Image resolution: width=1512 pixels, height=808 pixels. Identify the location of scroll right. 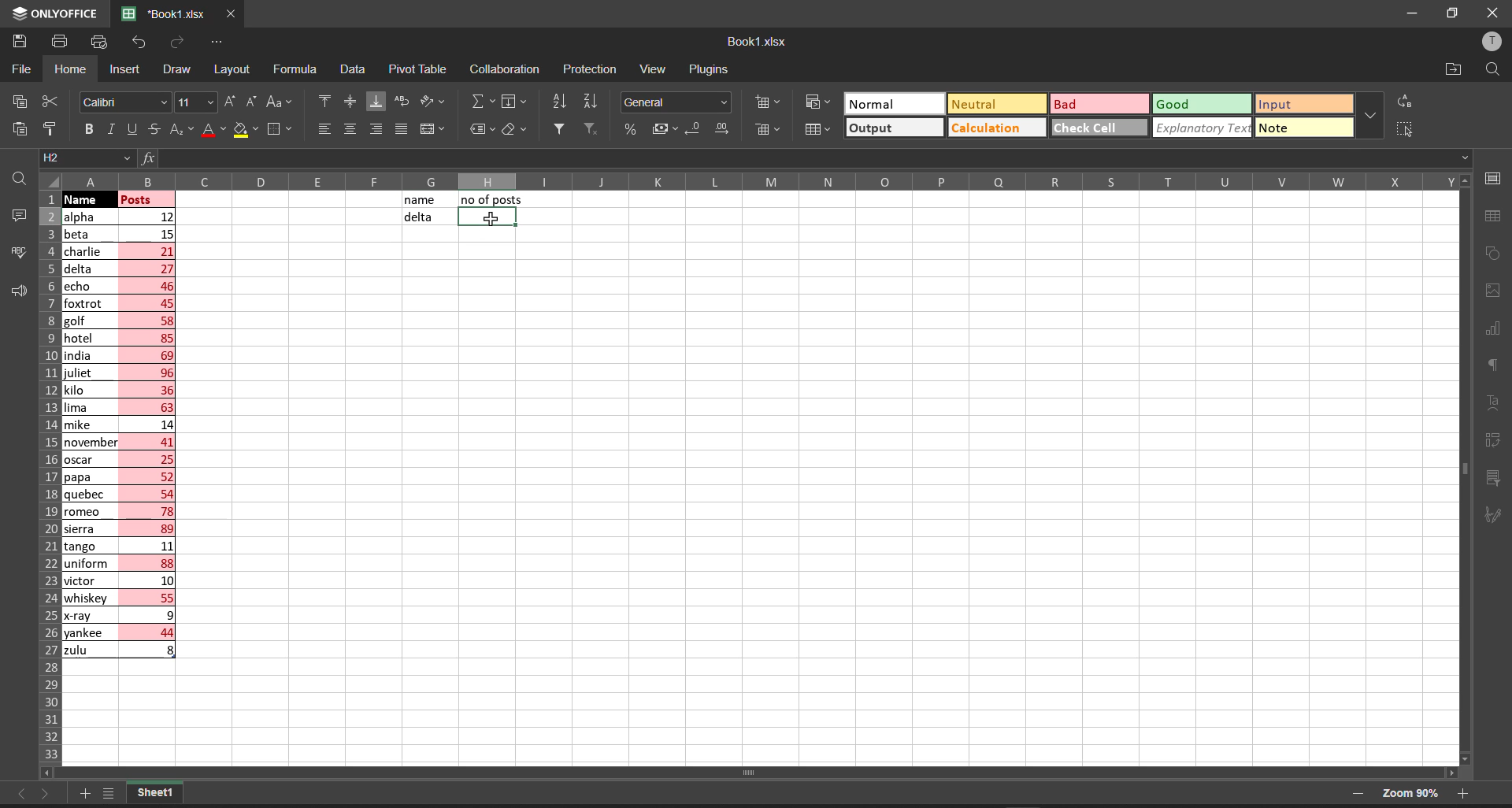
(1447, 770).